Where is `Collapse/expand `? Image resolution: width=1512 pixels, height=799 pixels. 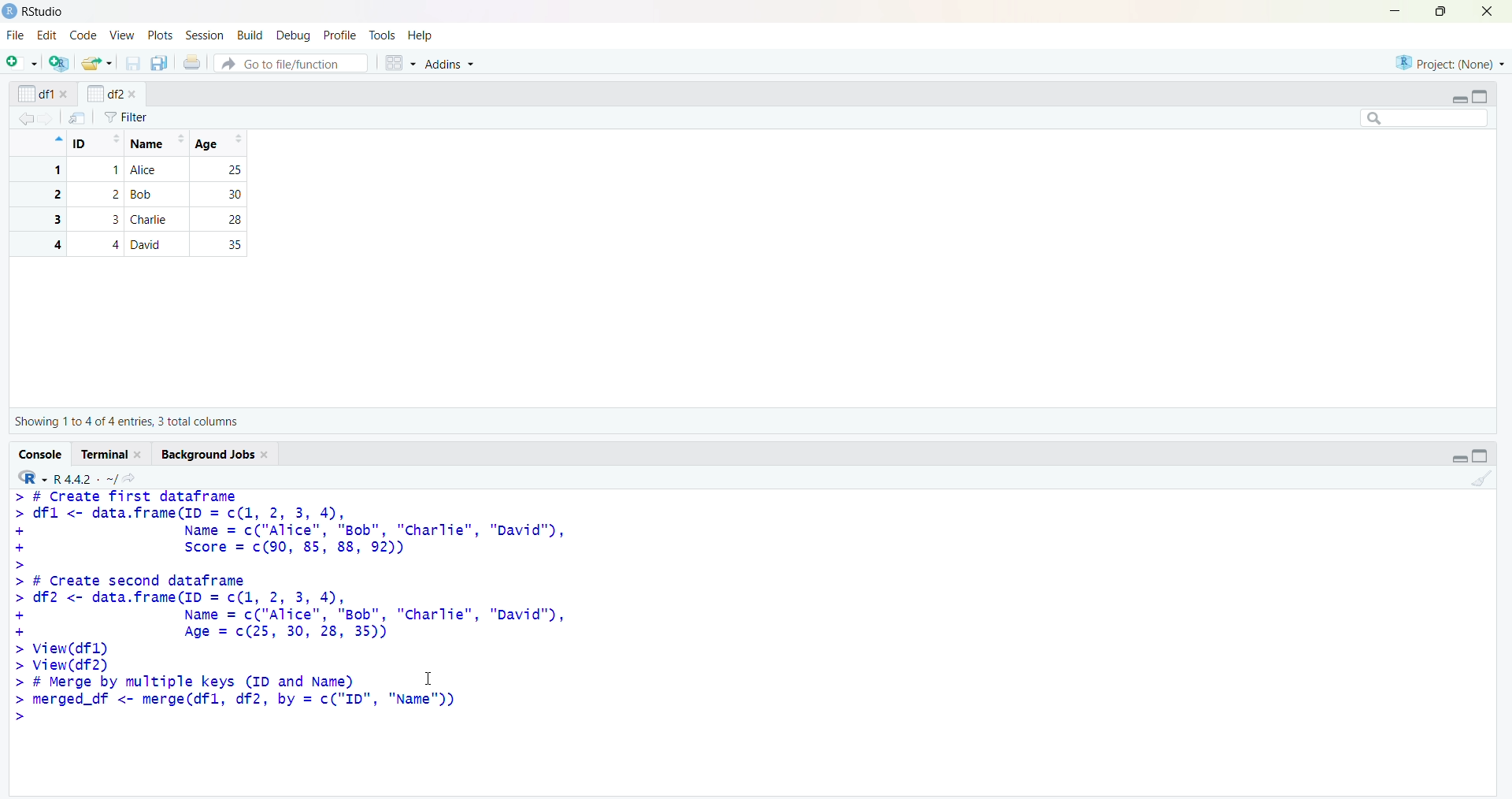 Collapse/expand  is located at coordinates (1458, 100).